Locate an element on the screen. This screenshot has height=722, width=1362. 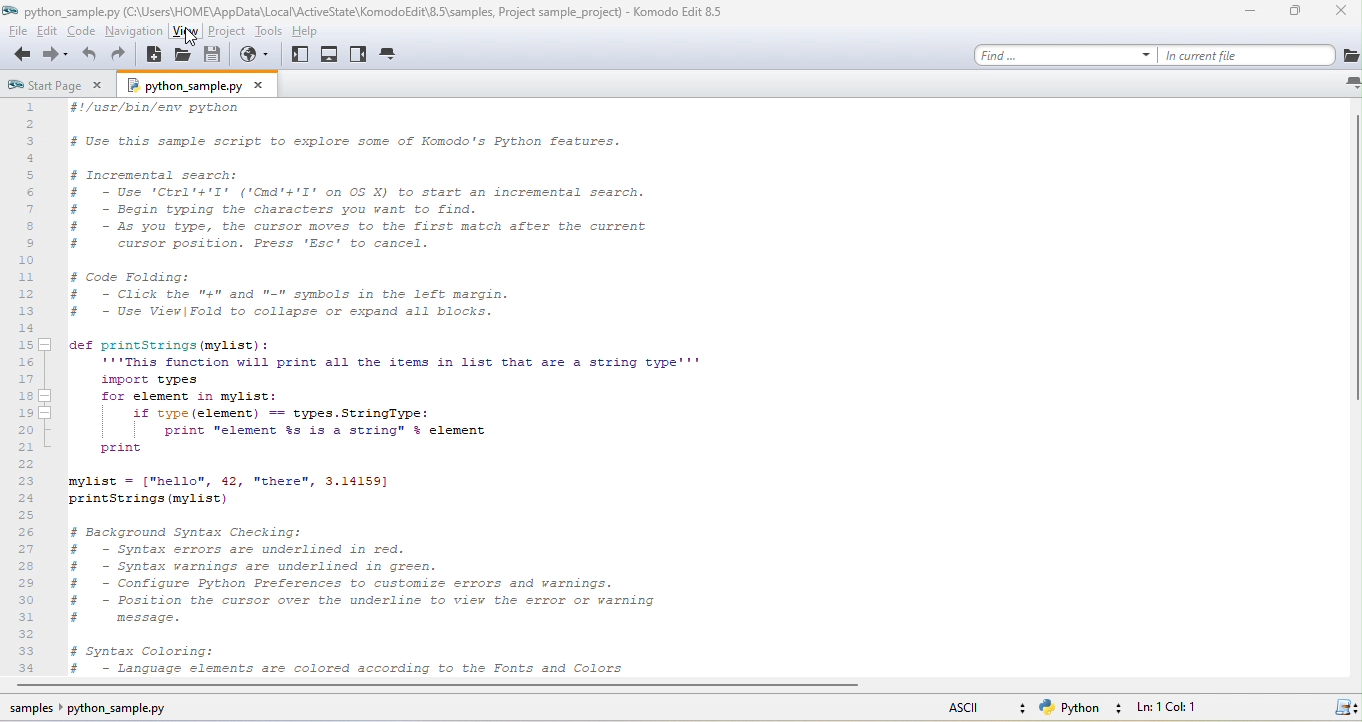
left pane is located at coordinates (298, 58).